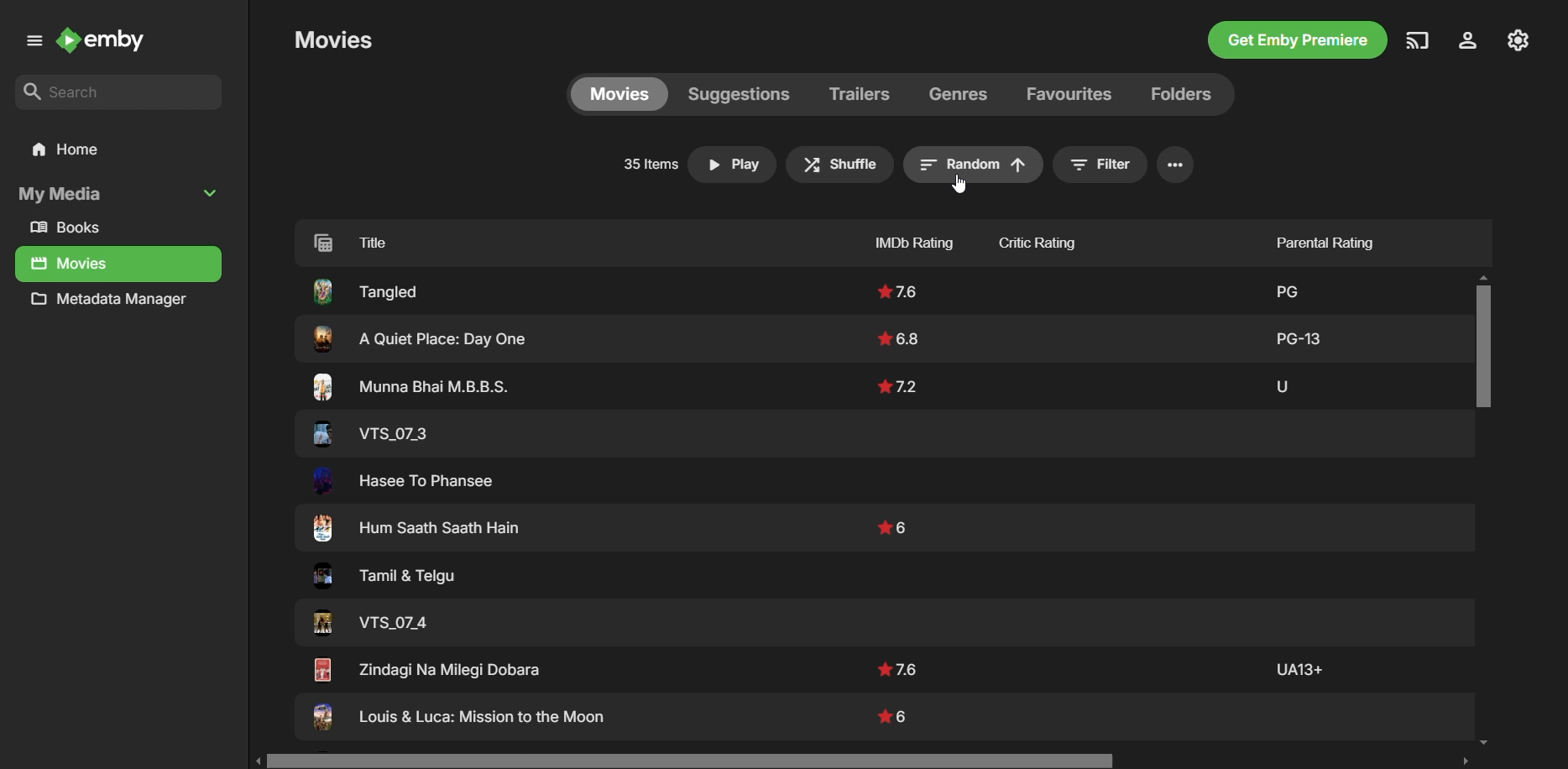 The width and height of the screenshot is (1568, 769). What do you see at coordinates (419, 530) in the screenshot?
I see `` at bounding box center [419, 530].